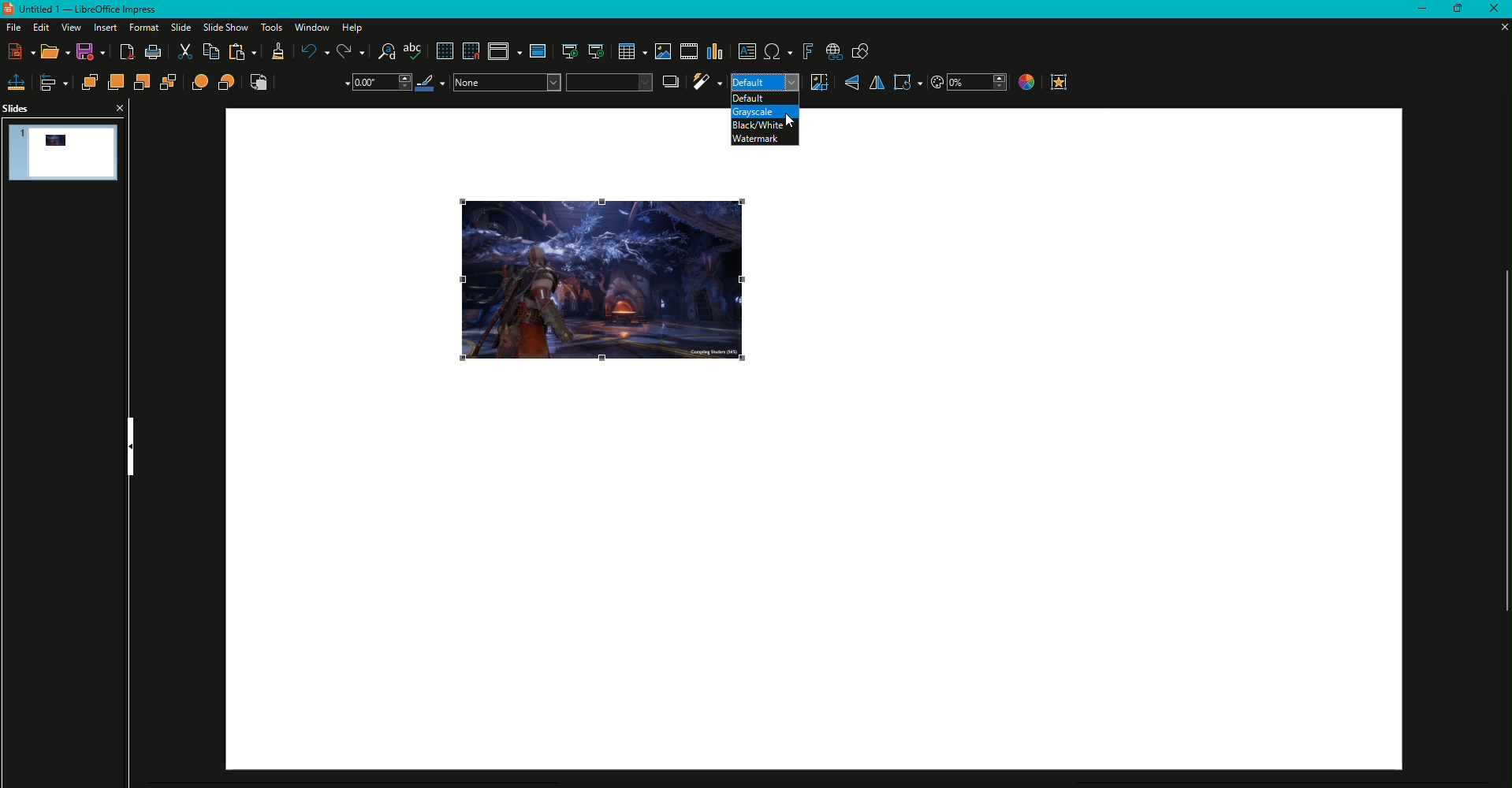 The height and width of the screenshot is (788, 1512). What do you see at coordinates (758, 139) in the screenshot?
I see `Watermark` at bounding box center [758, 139].